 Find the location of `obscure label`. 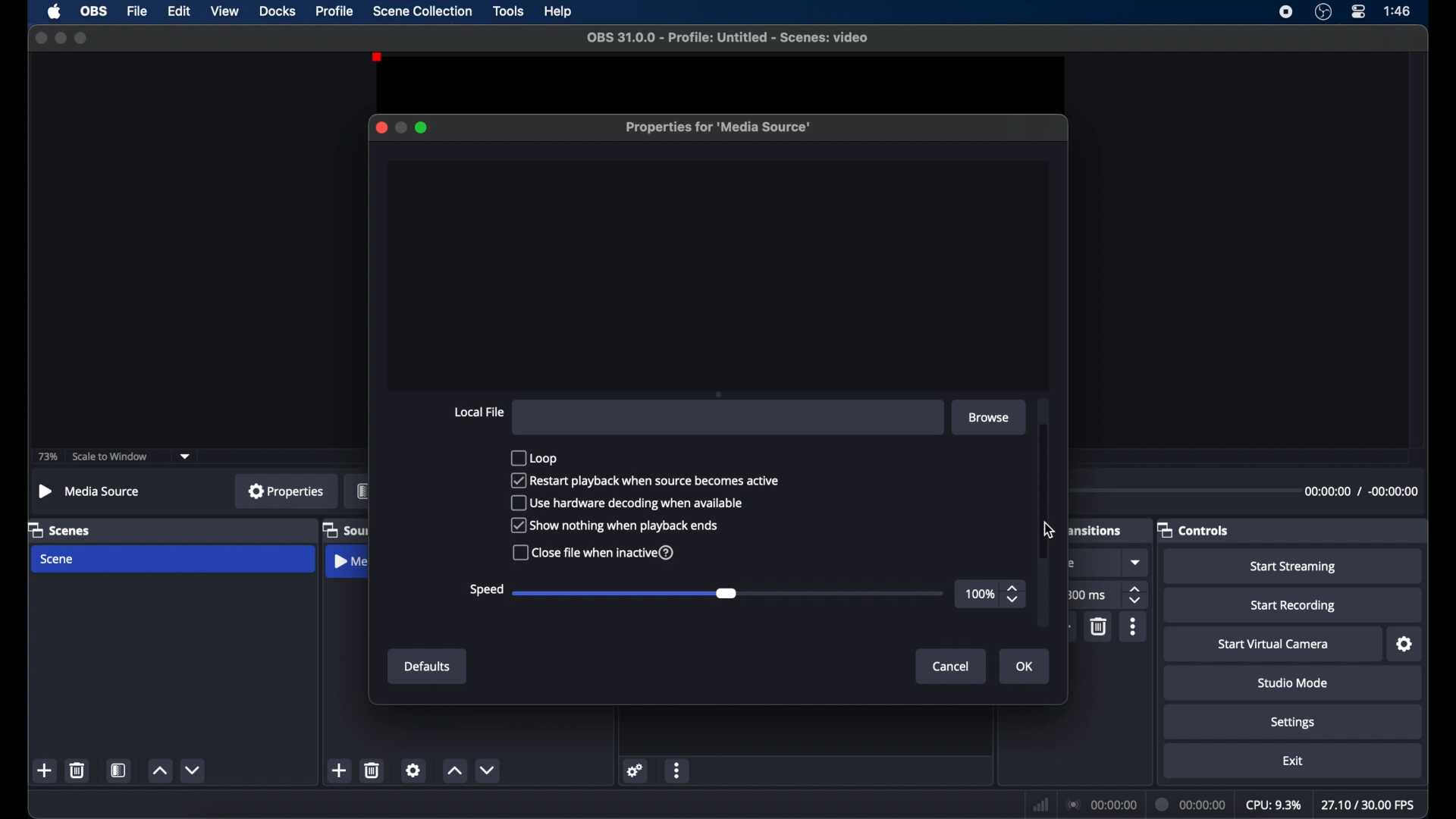

obscure label is located at coordinates (347, 561).